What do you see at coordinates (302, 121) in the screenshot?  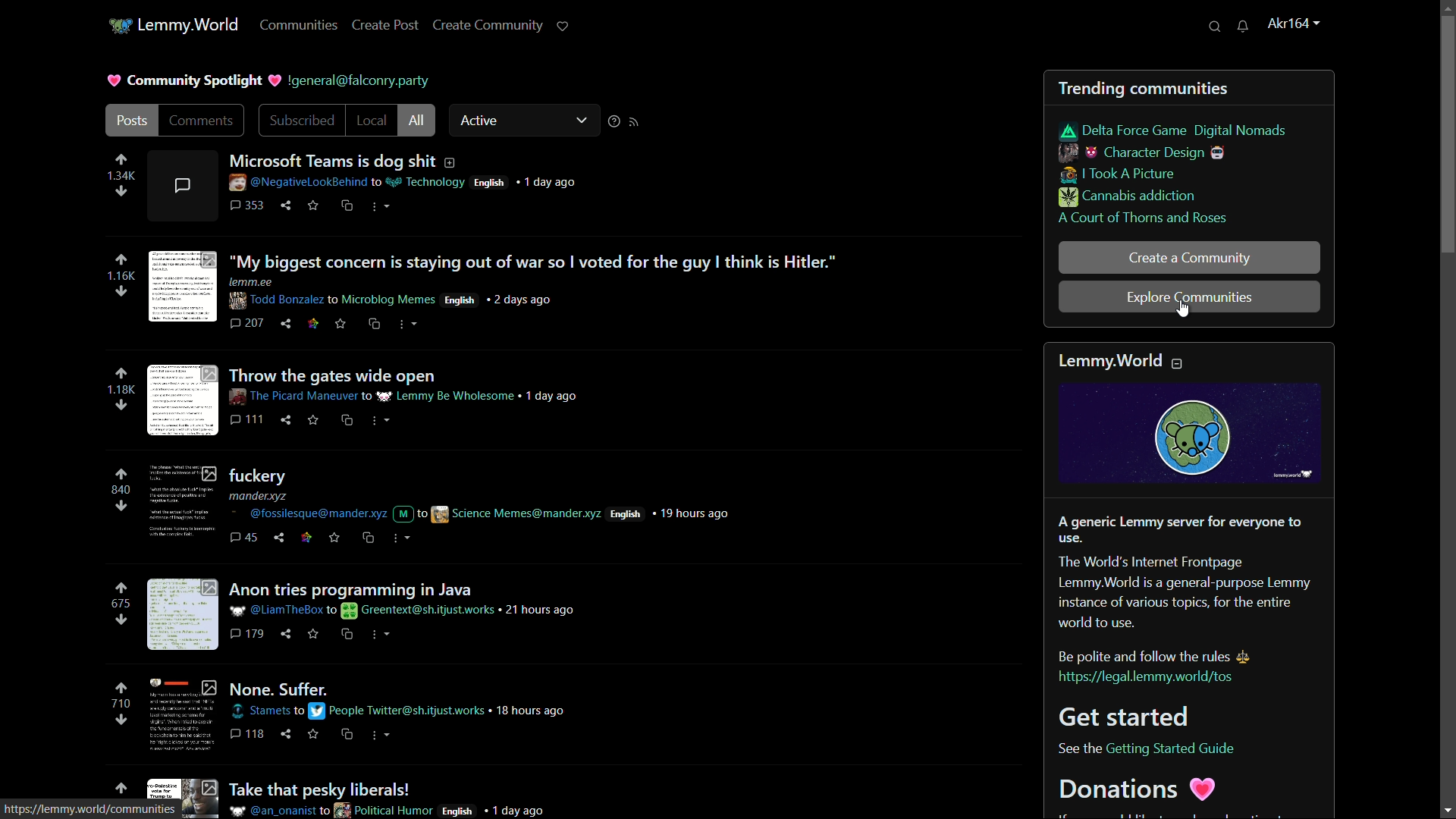 I see `subscribed` at bounding box center [302, 121].